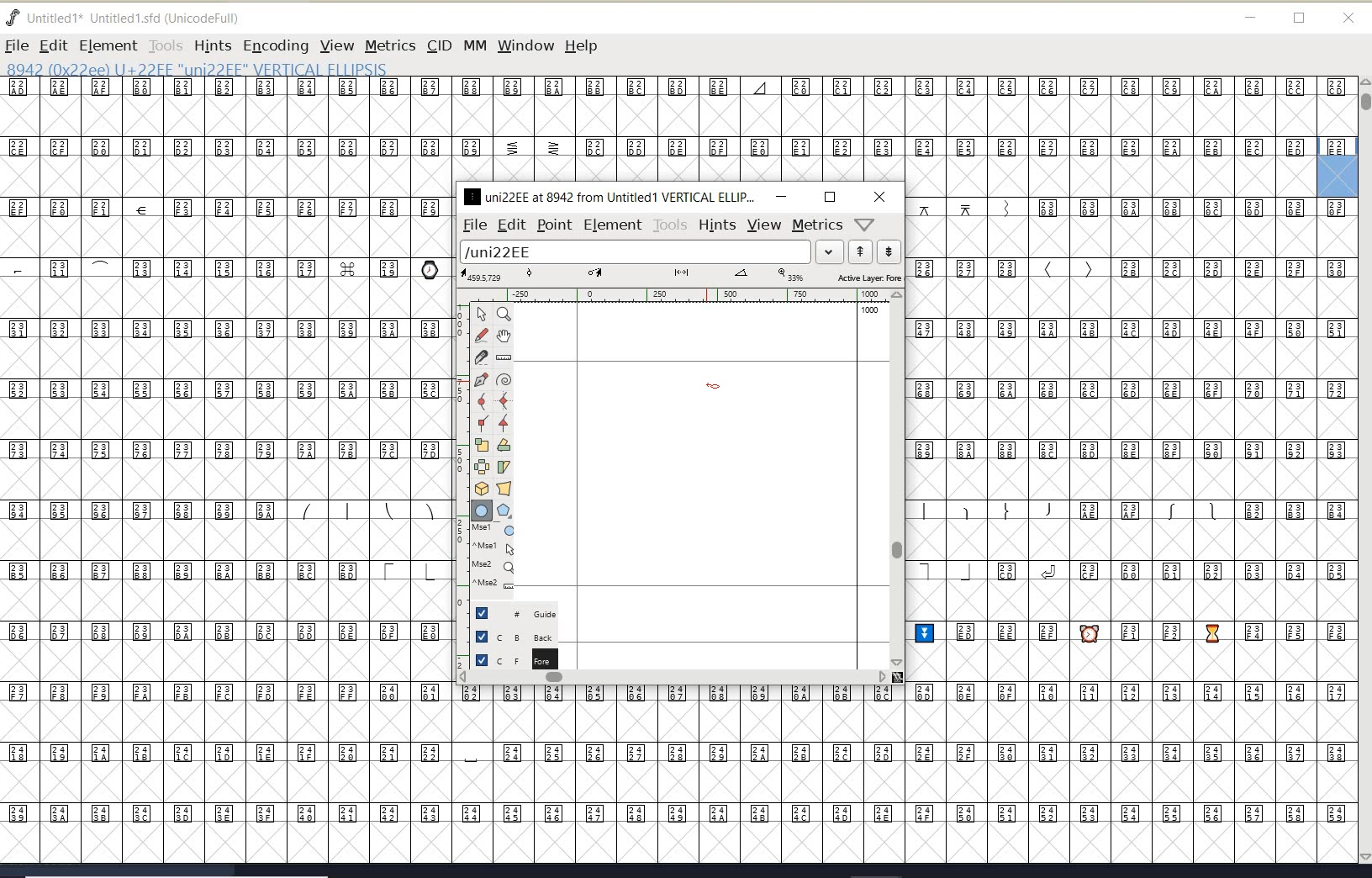  What do you see at coordinates (613, 225) in the screenshot?
I see `element` at bounding box center [613, 225].